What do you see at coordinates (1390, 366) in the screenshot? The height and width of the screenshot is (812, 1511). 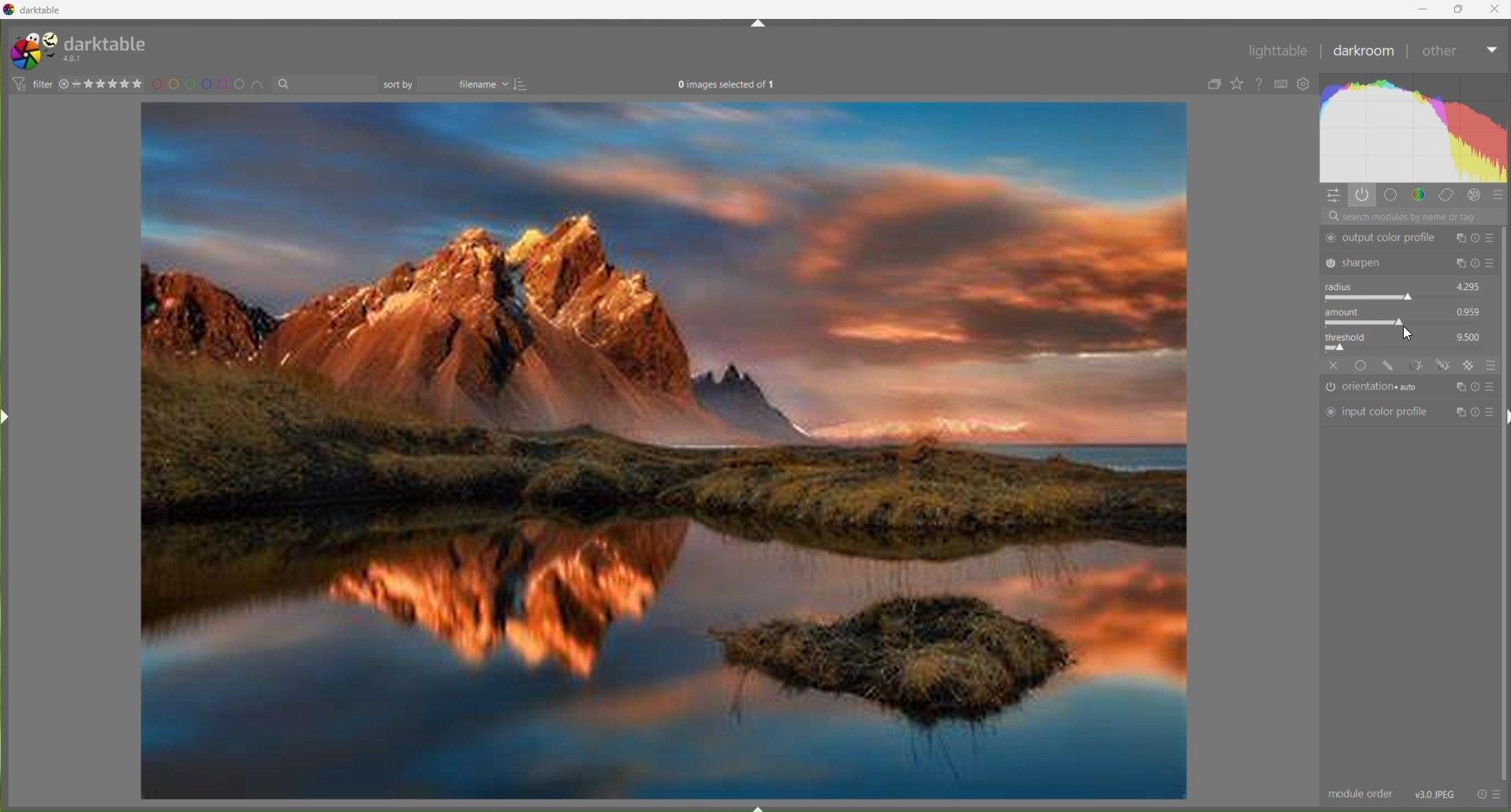 I see `draw` at bounding box center [1390, 366].